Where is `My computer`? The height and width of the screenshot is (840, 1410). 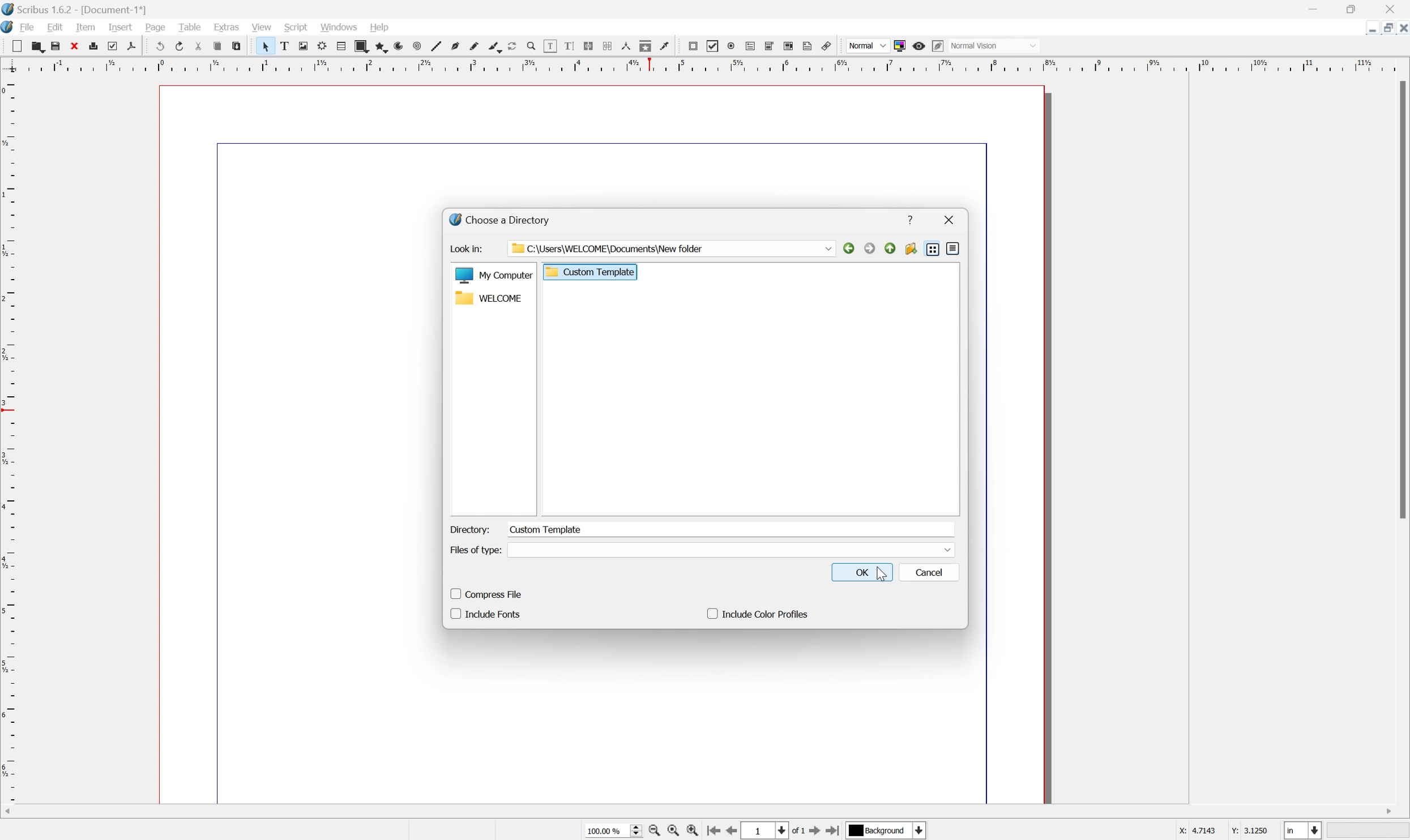 My computer is located at coordinates (493, 277).